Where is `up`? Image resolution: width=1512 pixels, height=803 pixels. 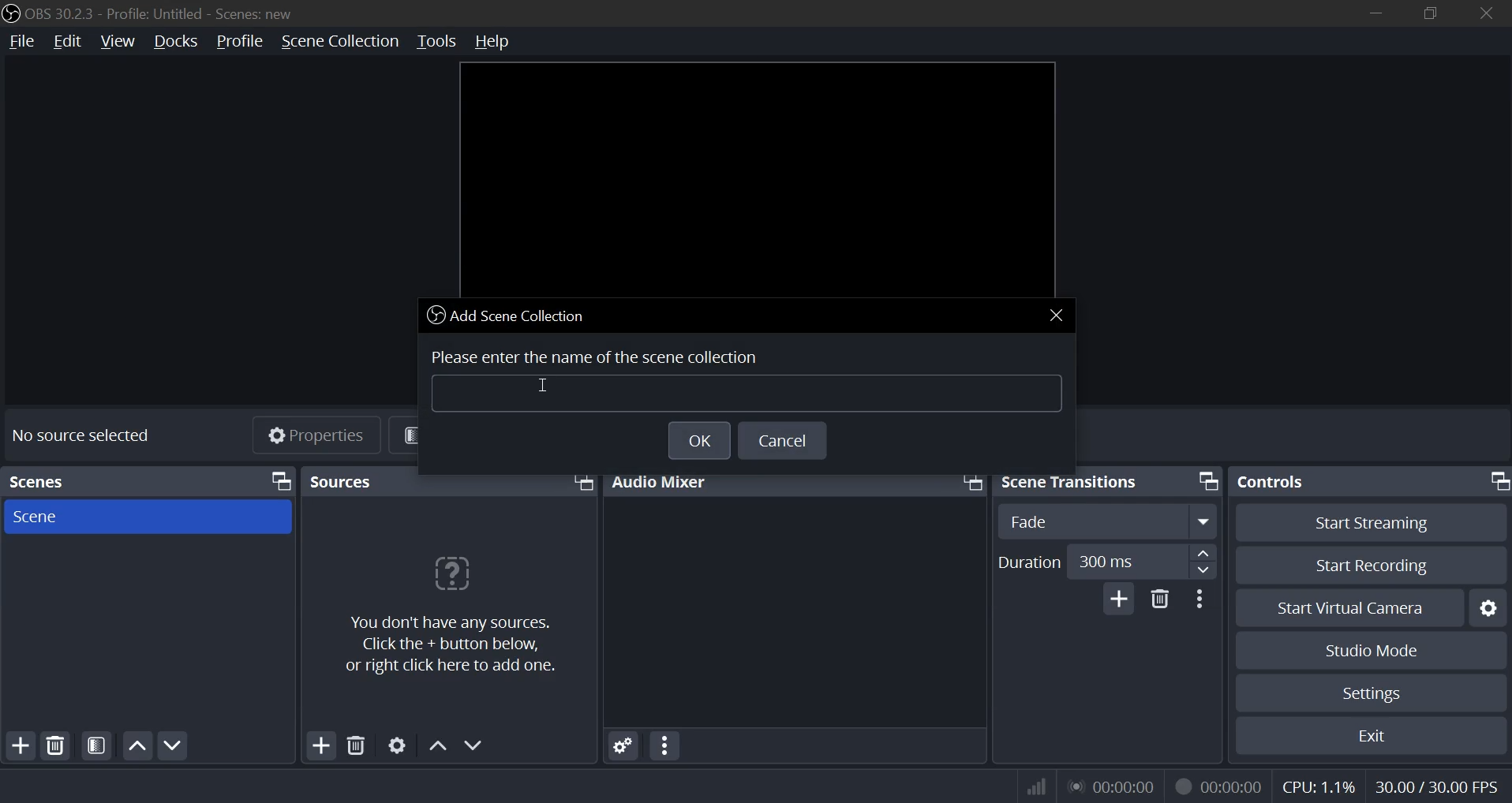
up is located at coordinates (436, 743).